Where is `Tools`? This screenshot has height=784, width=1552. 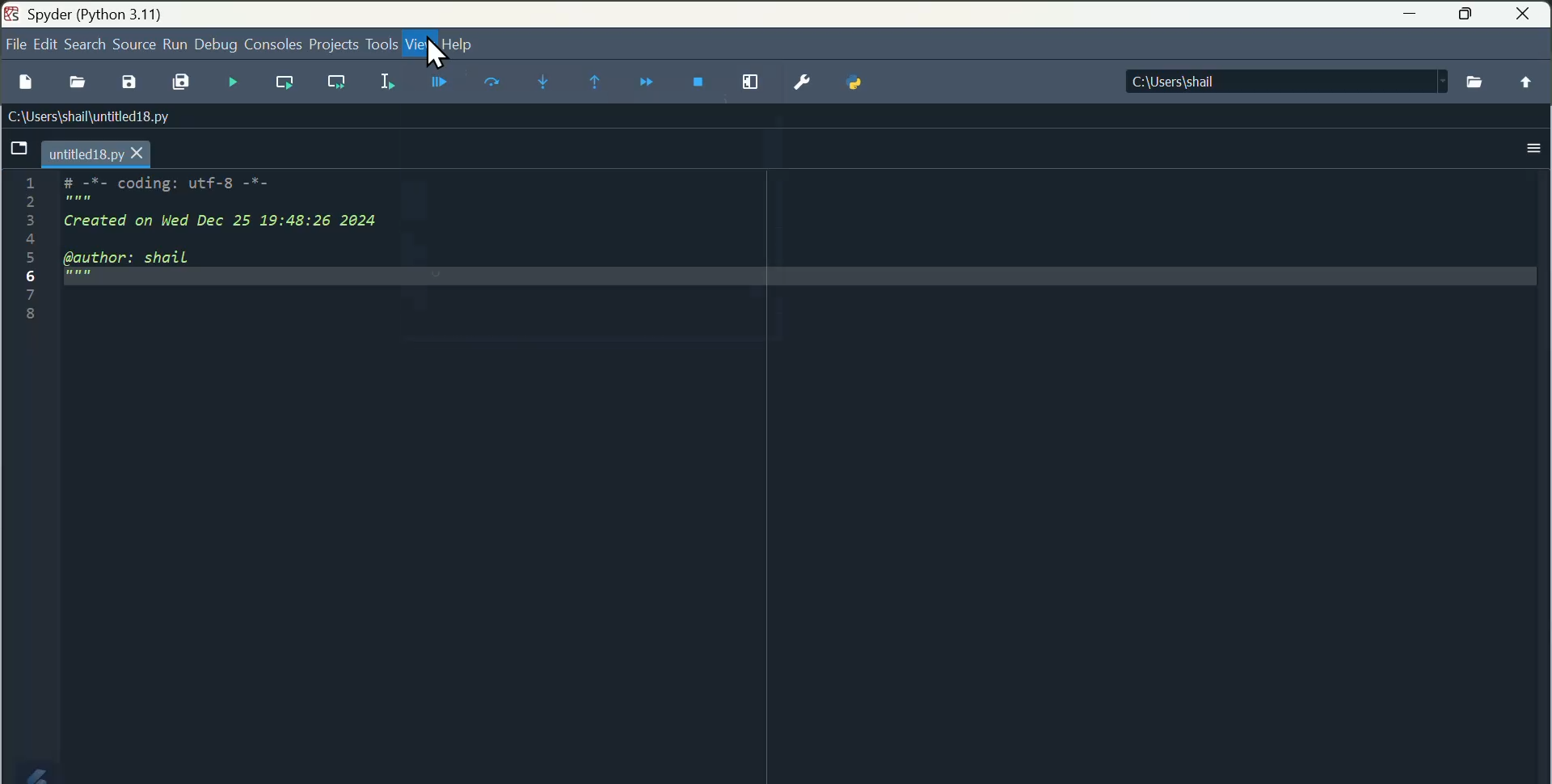
Tools is located at coordinates (379, 44).